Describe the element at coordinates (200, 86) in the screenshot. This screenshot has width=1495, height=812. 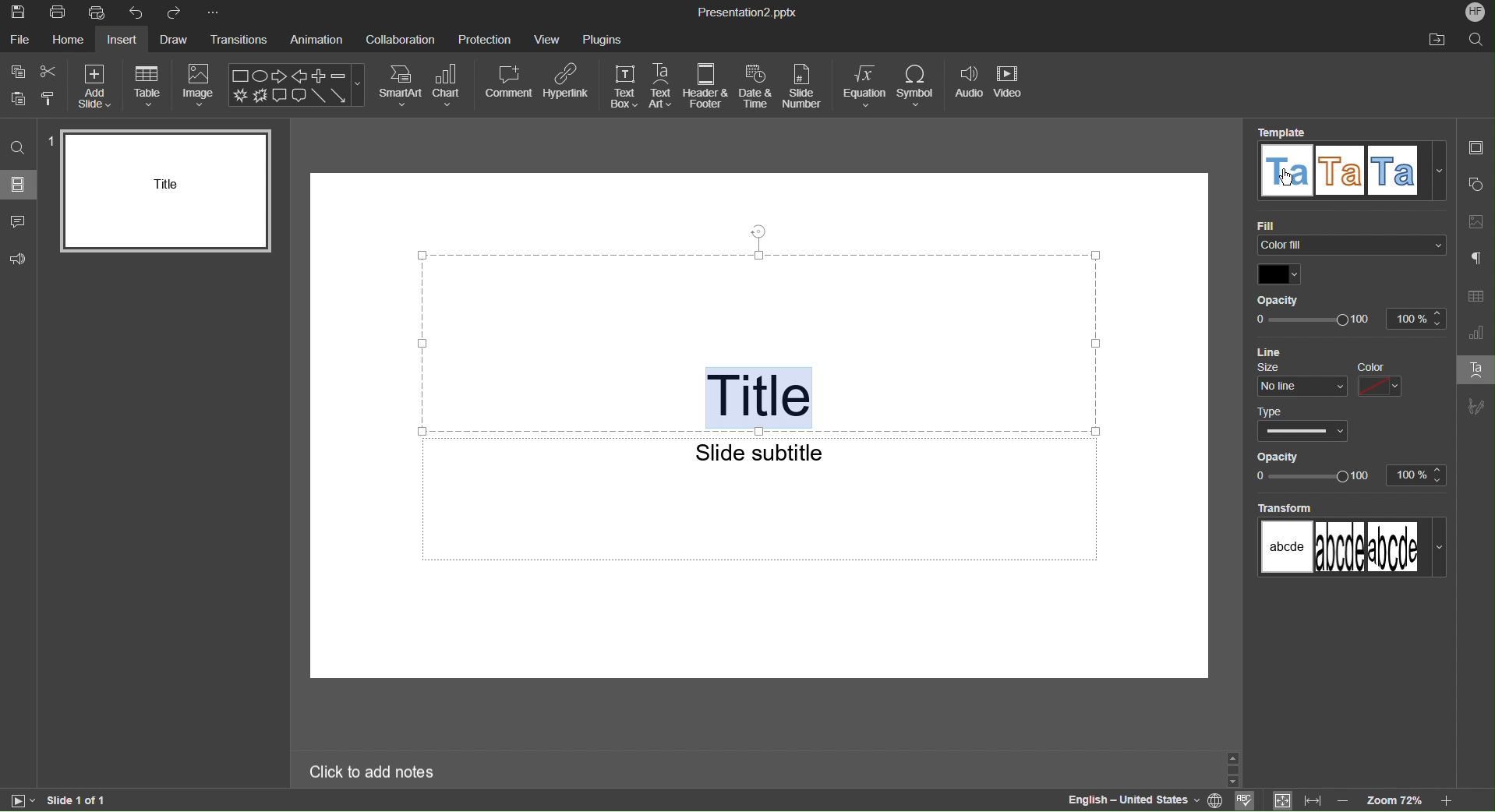
I see `Image` at that location.